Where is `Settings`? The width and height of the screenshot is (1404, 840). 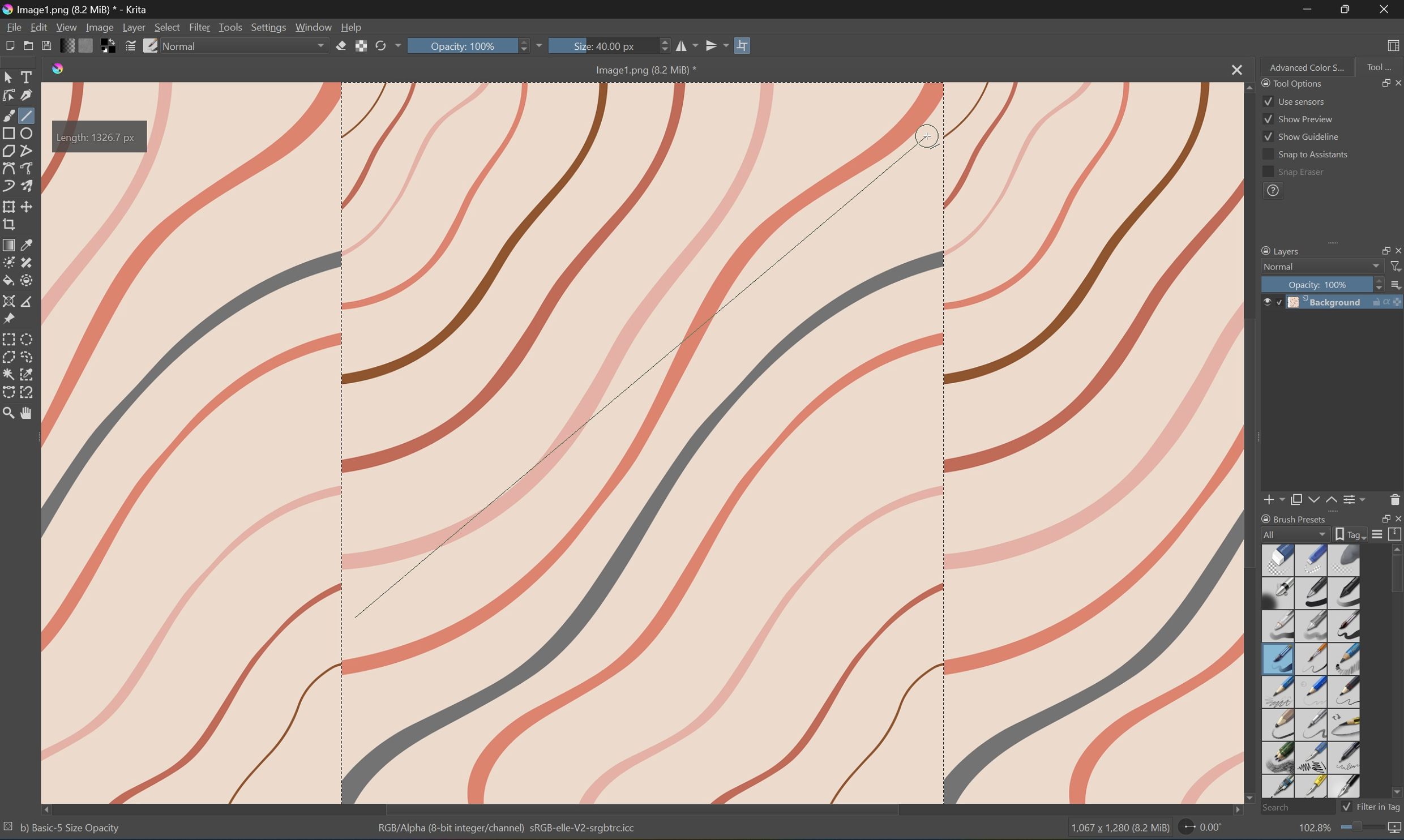 Settings is located at coordinates (268, 27).